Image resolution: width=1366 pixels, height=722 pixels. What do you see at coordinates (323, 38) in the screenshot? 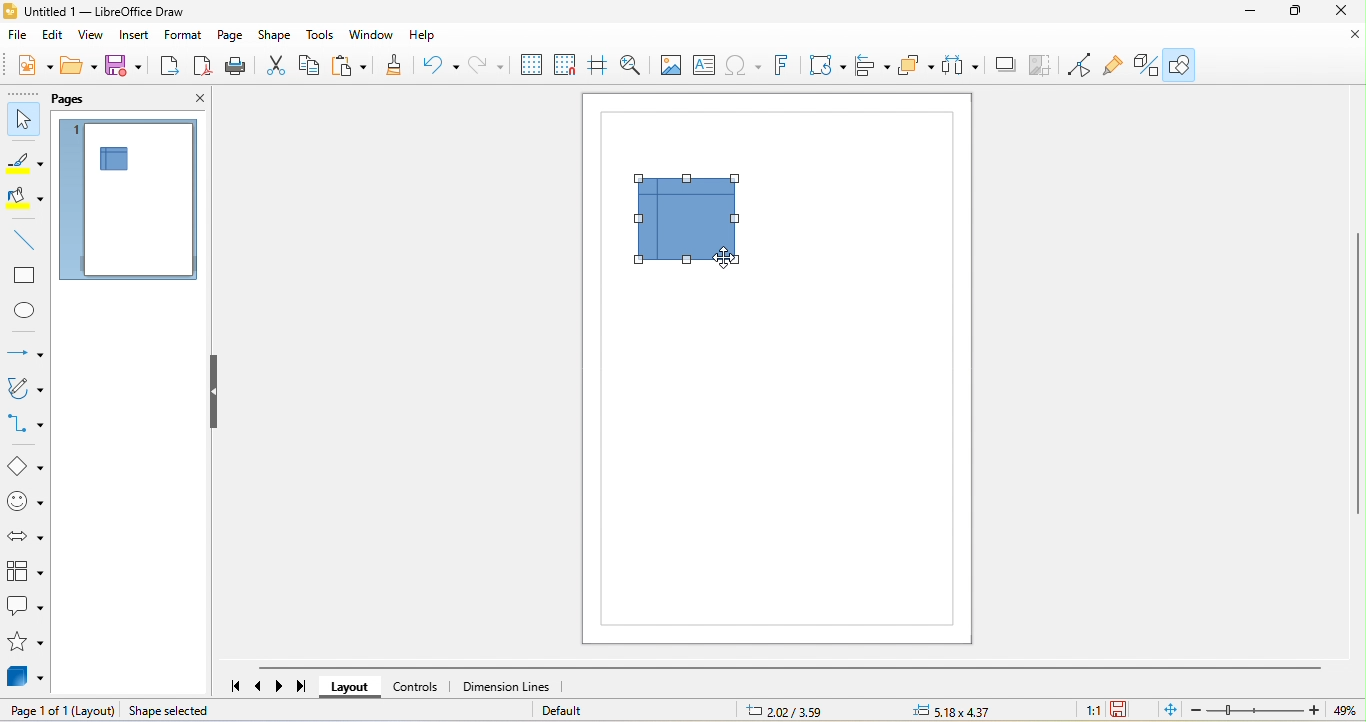
I see `tools` at bounding box center [323, 38].